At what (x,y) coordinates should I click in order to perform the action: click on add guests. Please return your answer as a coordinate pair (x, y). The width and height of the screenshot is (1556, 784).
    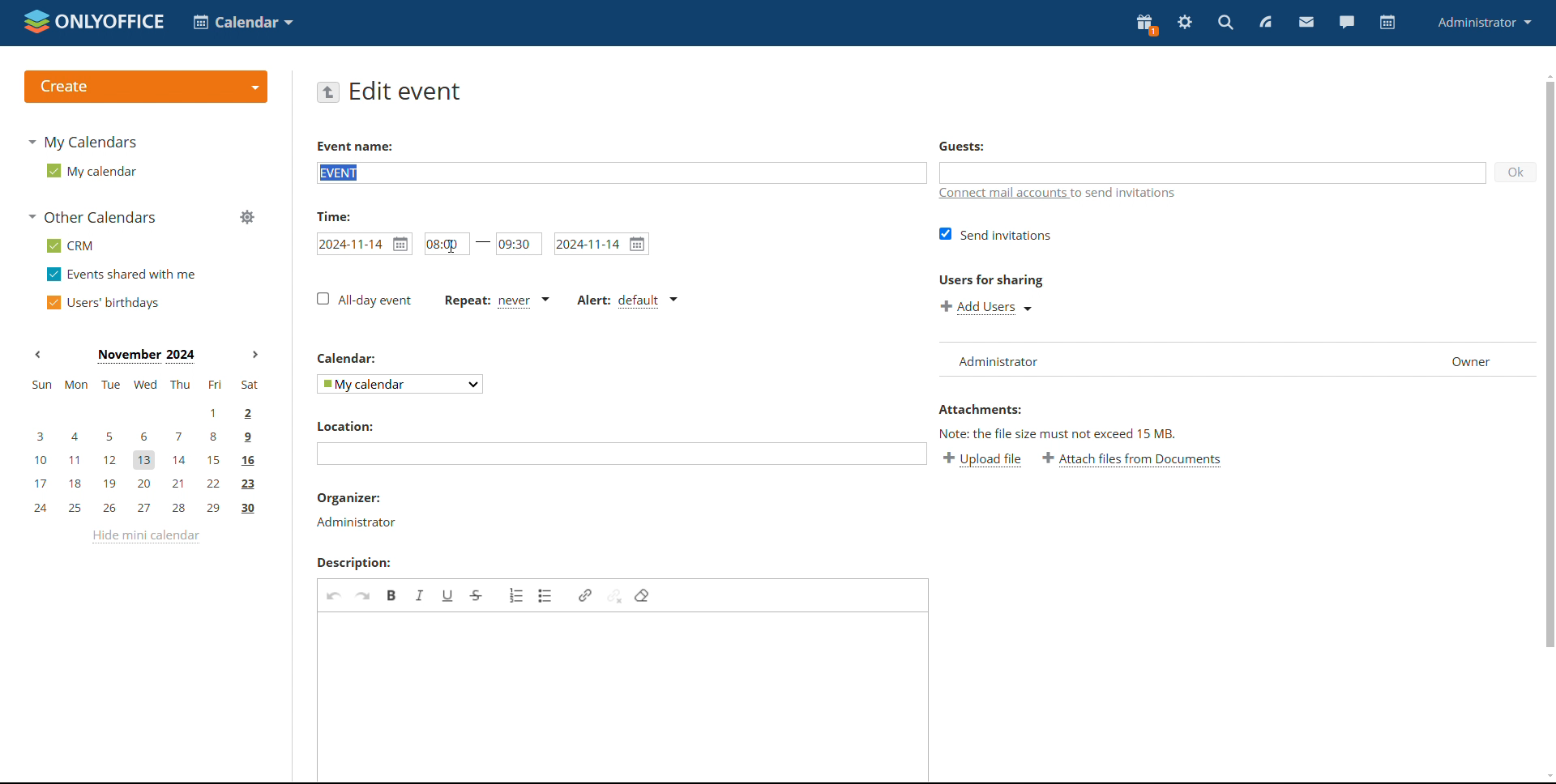
    Looking at the image, I should click on (1213, 173).